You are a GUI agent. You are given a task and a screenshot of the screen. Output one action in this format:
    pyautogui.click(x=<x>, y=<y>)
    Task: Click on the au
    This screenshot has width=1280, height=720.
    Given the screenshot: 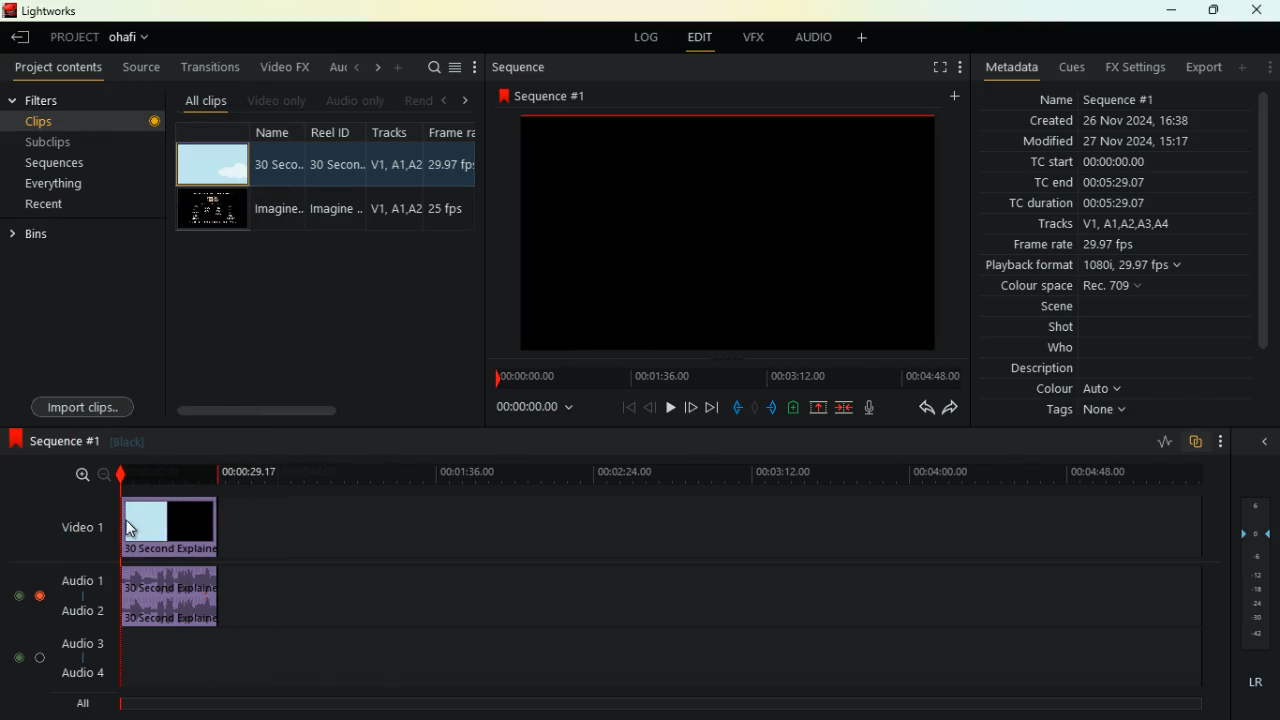 What is the action you would take?
    pyautogui.click(x=338, y=69)
    